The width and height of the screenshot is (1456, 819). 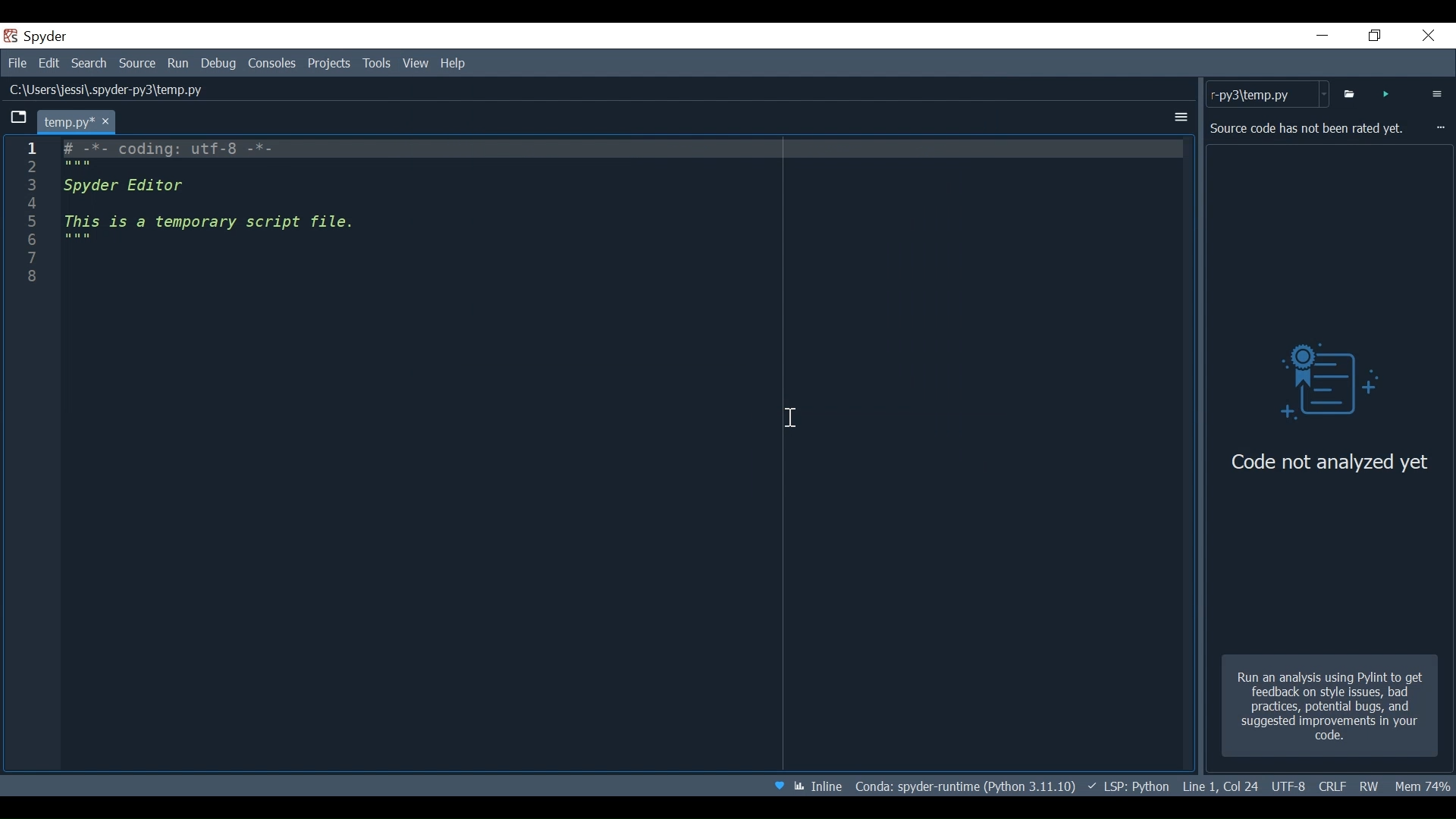 I want to click on # -*- coding: utf-8 -*- """ Spyder Editor  This is a temporary script file. """, so click(x=629, y=203).